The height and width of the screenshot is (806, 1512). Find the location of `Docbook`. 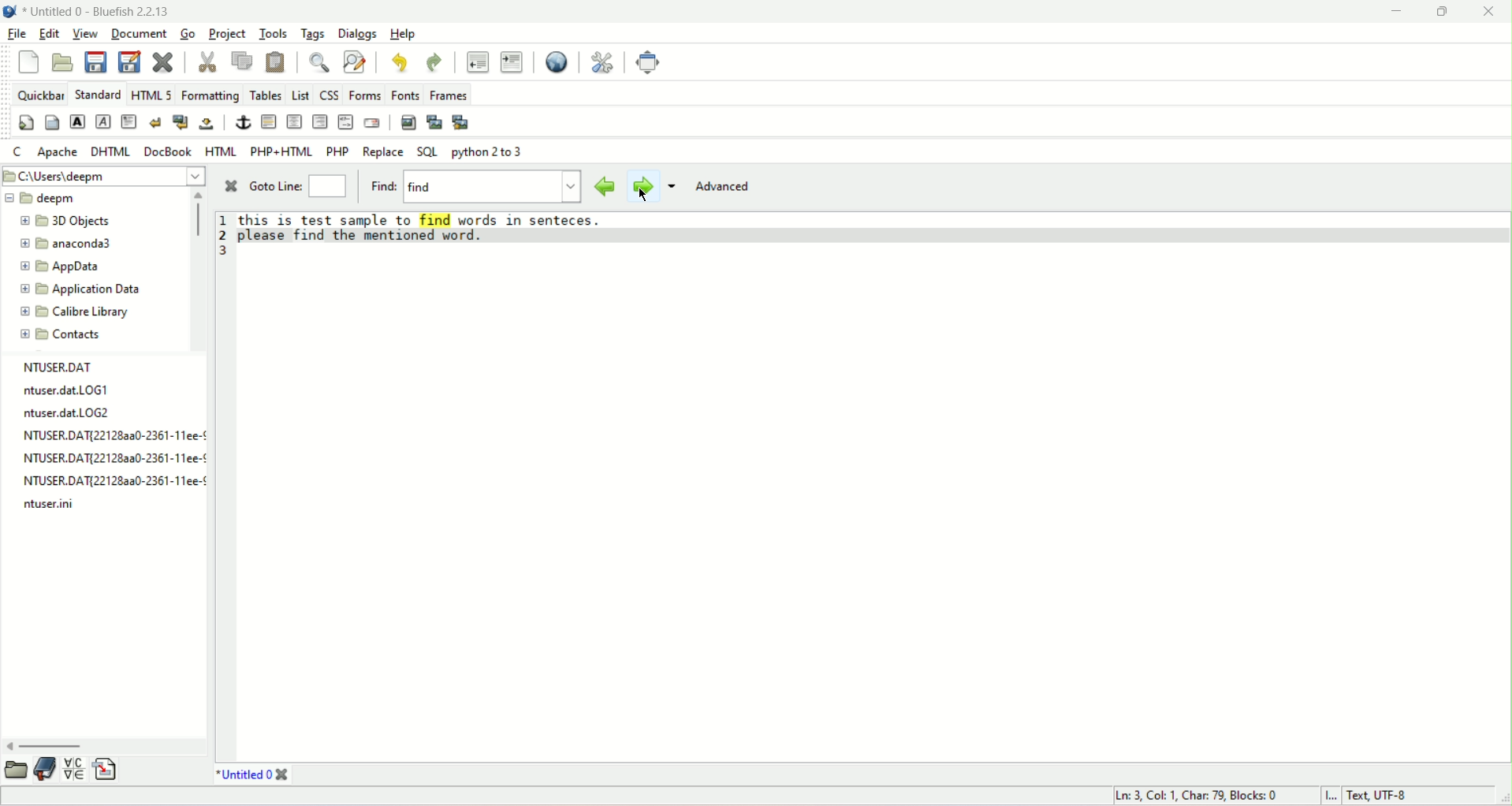

Docbook is located at coordinates (169, 151).